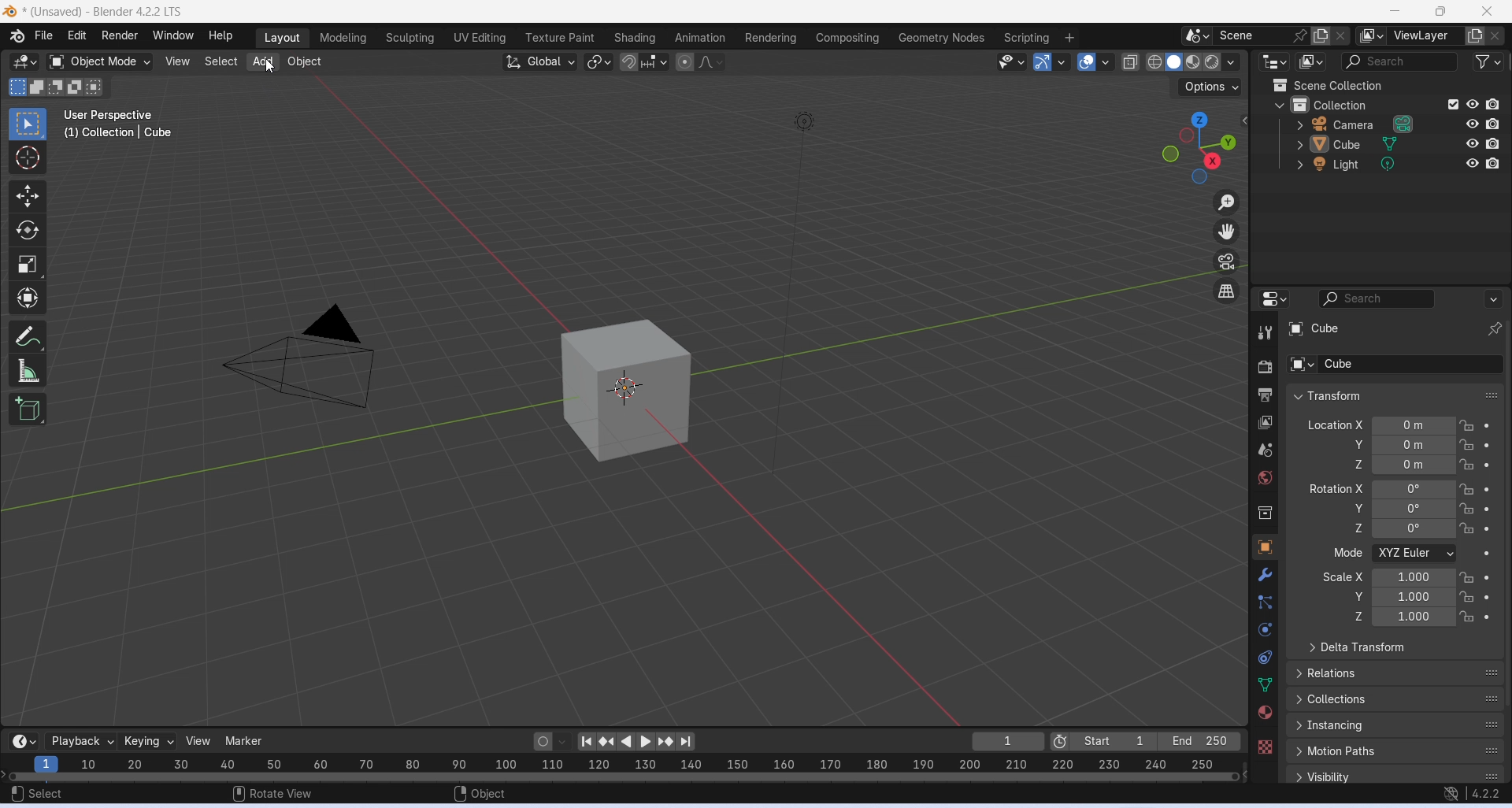 The width and height of the screenshot is (1512, 808). What do you see at coordinates (1468, 509) in the screenshot?
I see `lock location` at bounding box center [1468, 509].